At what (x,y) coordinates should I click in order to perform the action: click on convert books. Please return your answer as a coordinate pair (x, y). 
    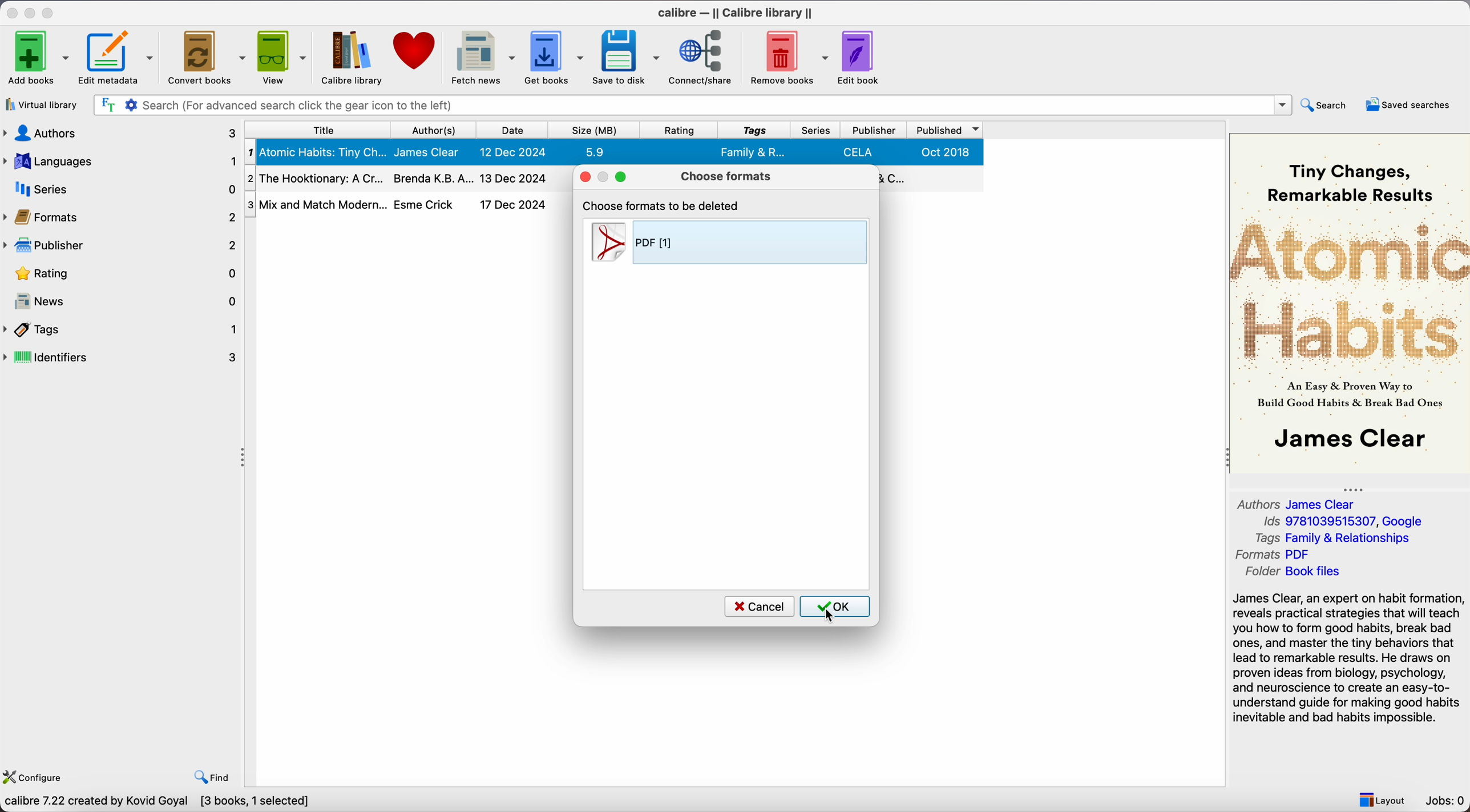
    Looking at the image, I should click on (205, 57).